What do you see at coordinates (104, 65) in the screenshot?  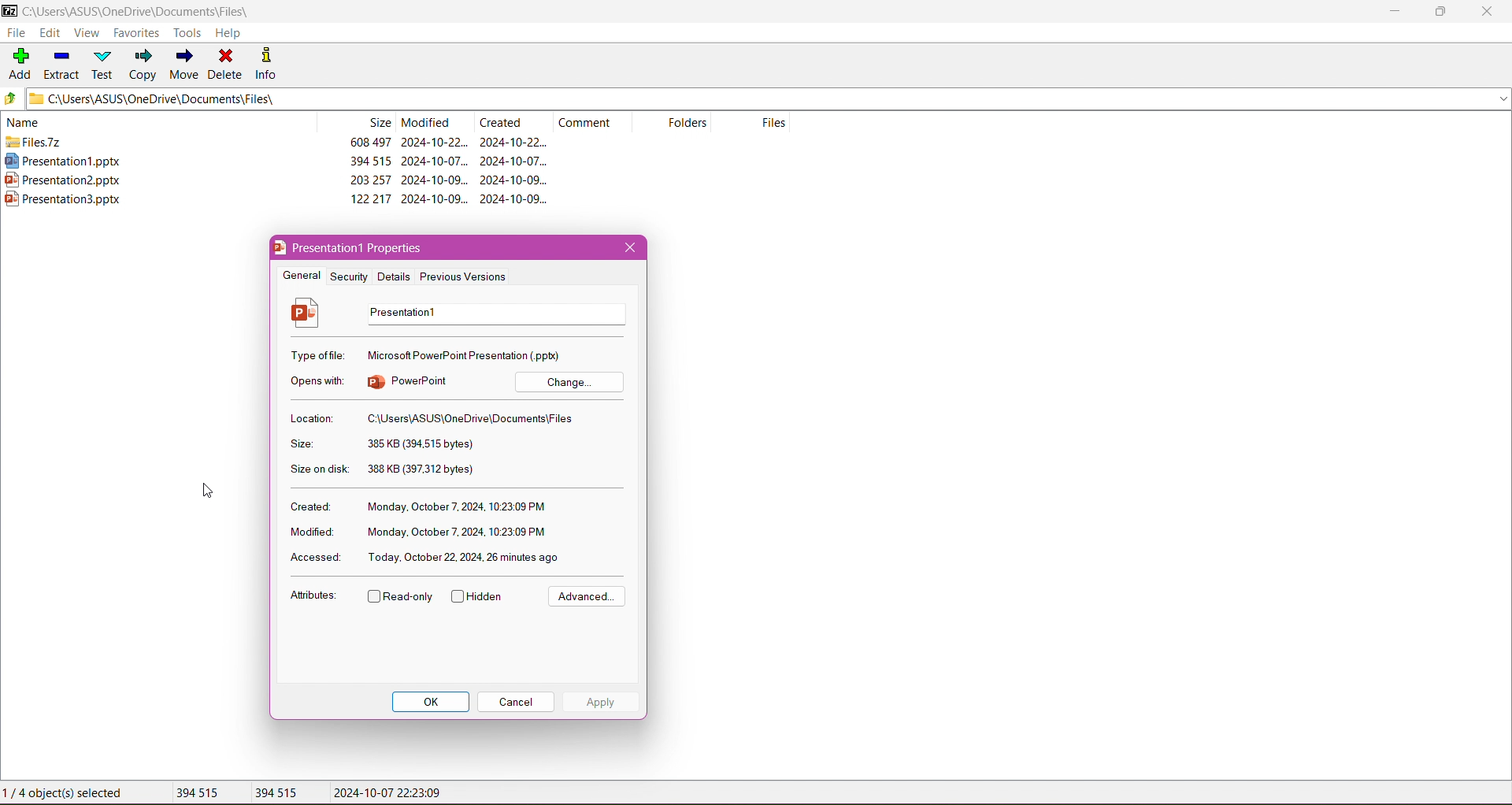 I see `Test` at bounding box center [104, 65].